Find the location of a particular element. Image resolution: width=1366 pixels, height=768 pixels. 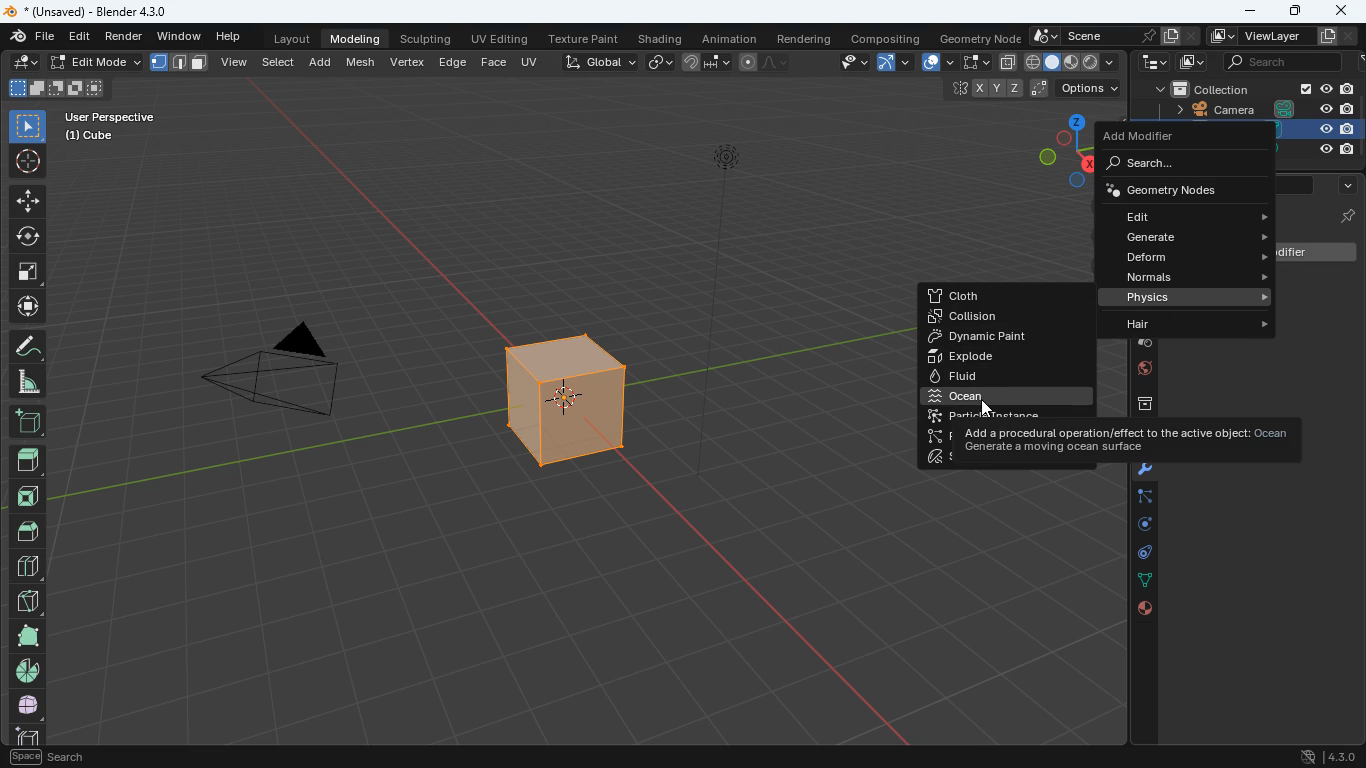

modeling is located at coordinates (356, 37).